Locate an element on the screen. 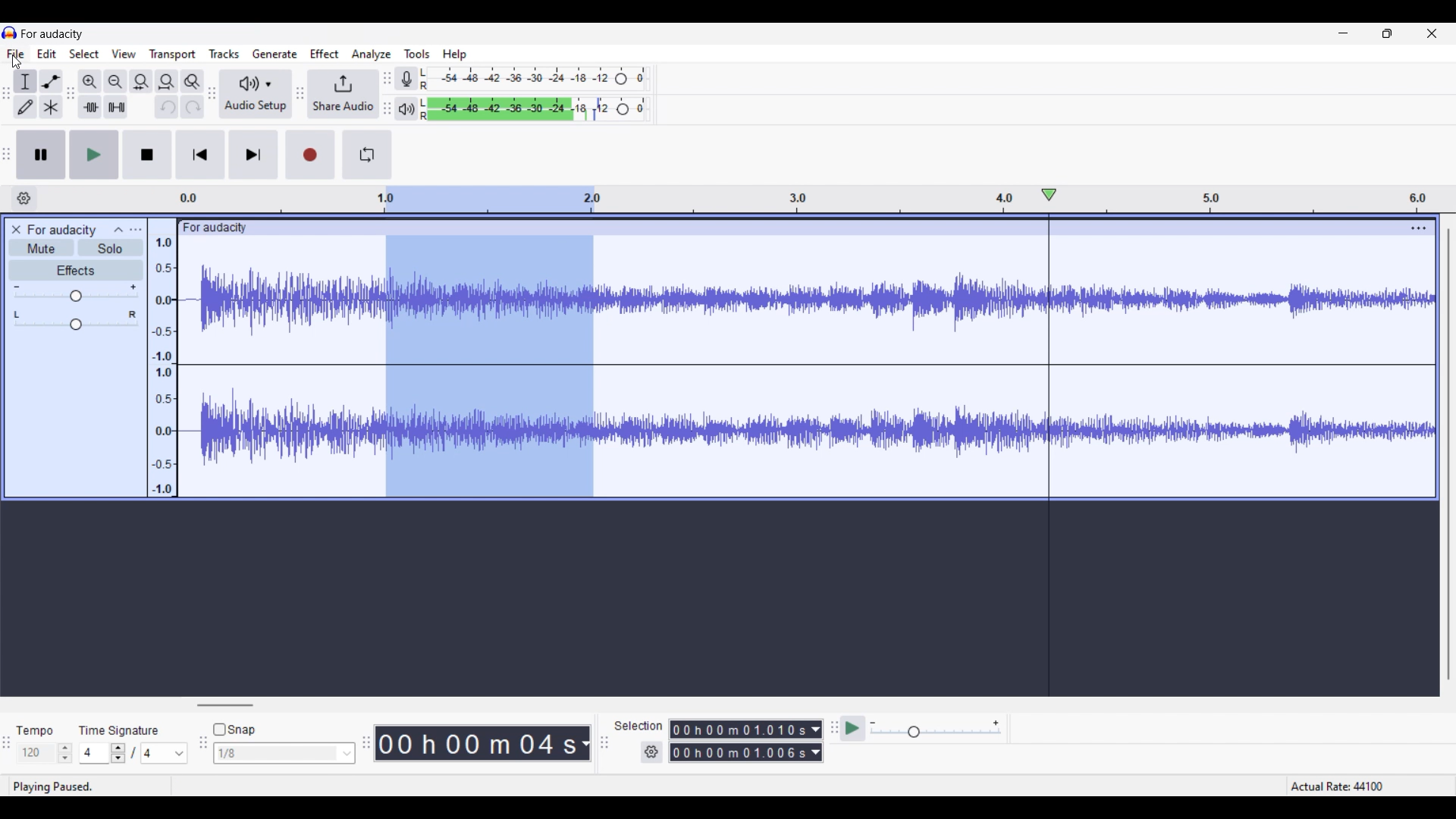 Image resolution: width=1456 pixels, height=819 pixels. Play/Play once is located at coordinates (94, 155).